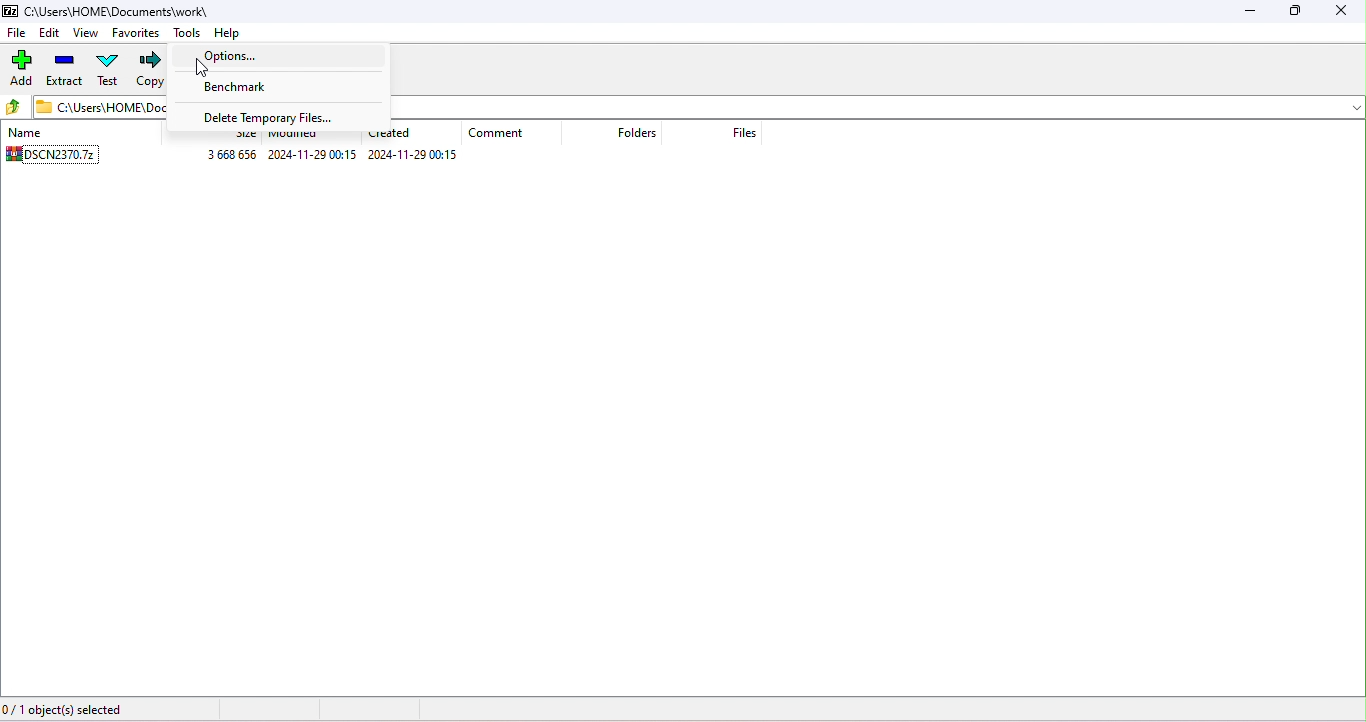 The height and width of the screenshot is (722, 1366). Describe the element at coordinates (96, 108) in the screenshot. I see `c:\users\home\` at that location.